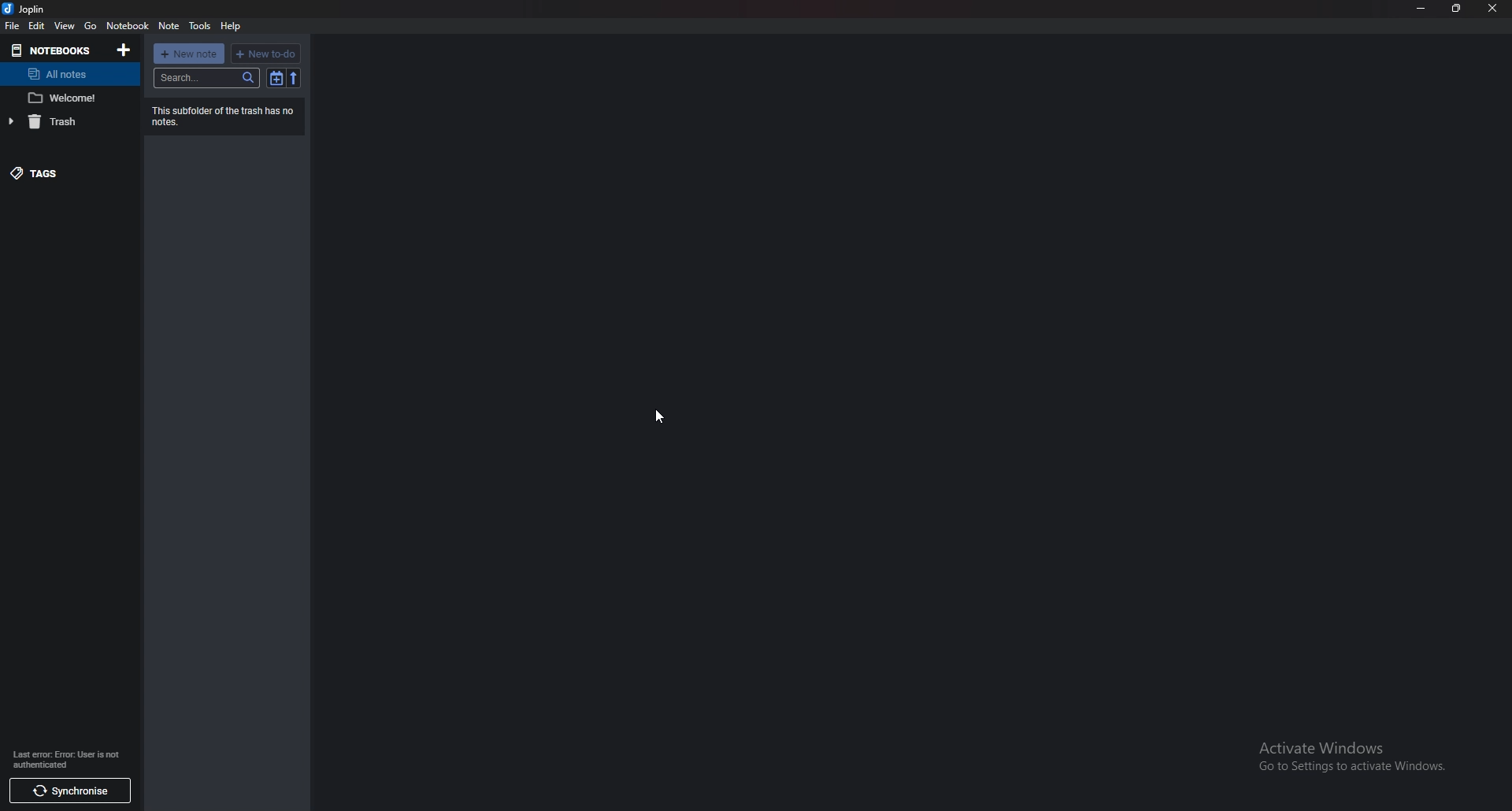  What do you see at coordinates (54, 50) in the screenshot?
I see `notebooks` at bounding box center [54, 50].